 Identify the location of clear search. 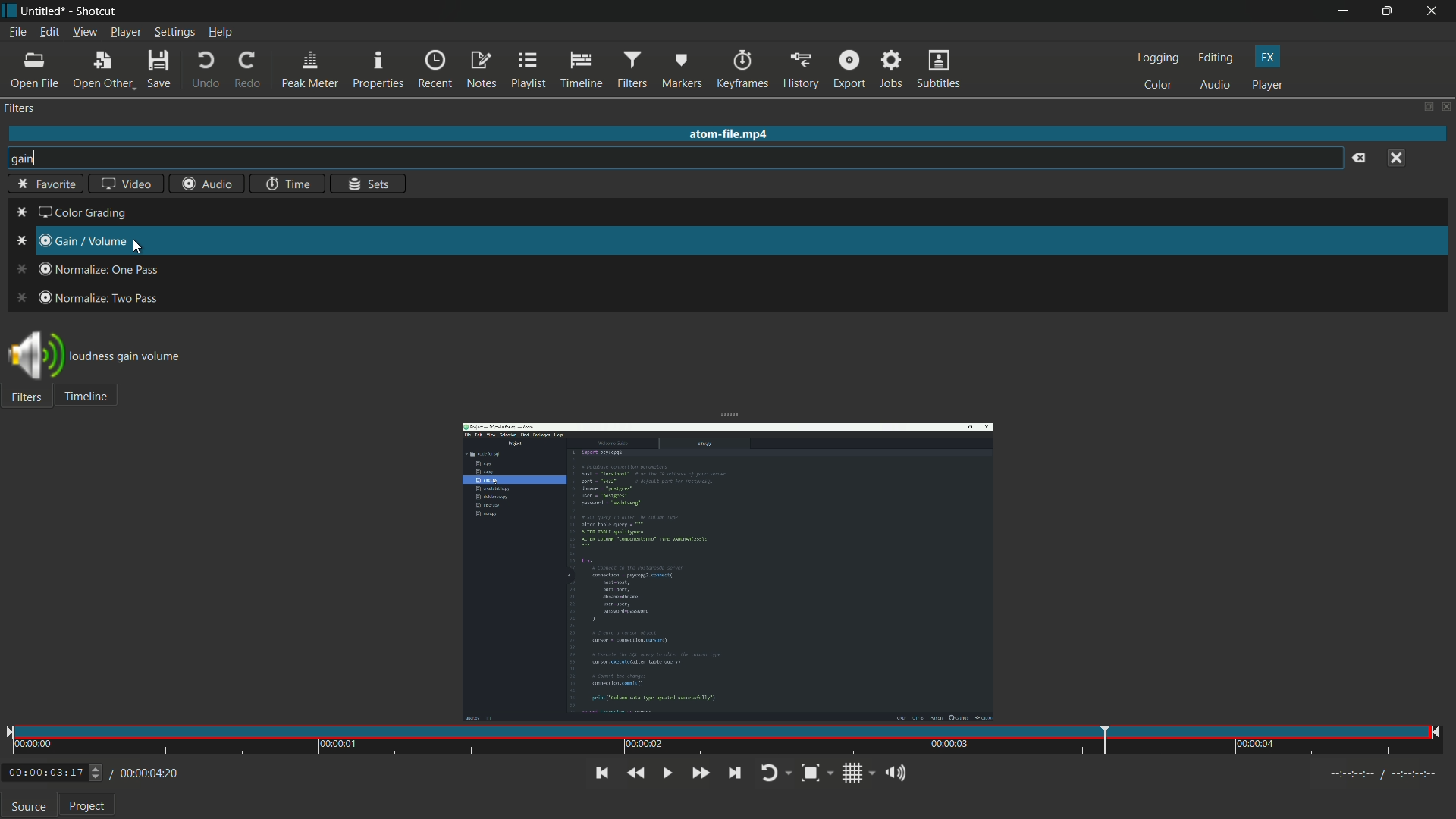
(1359, 159).